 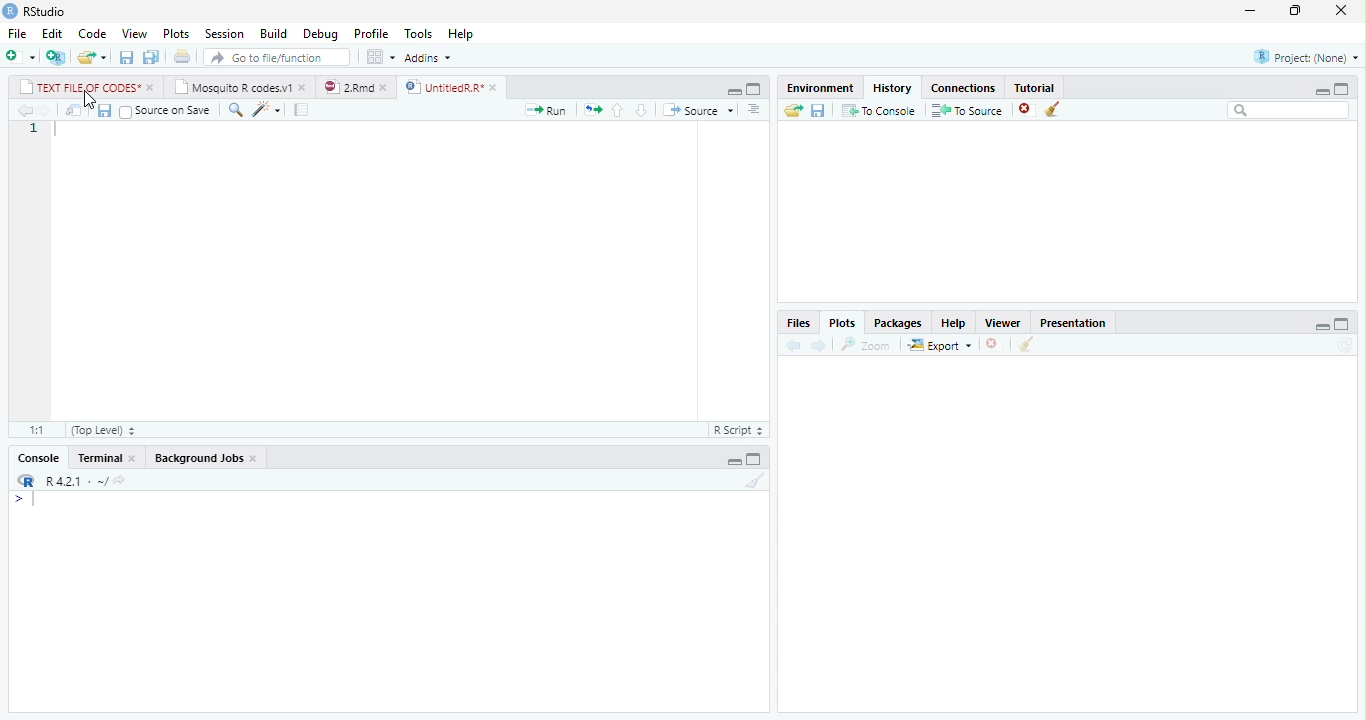 What do you see at coordinates (939, 345) in the screenshot?
I see `Export` at bounding box center [939, 345].